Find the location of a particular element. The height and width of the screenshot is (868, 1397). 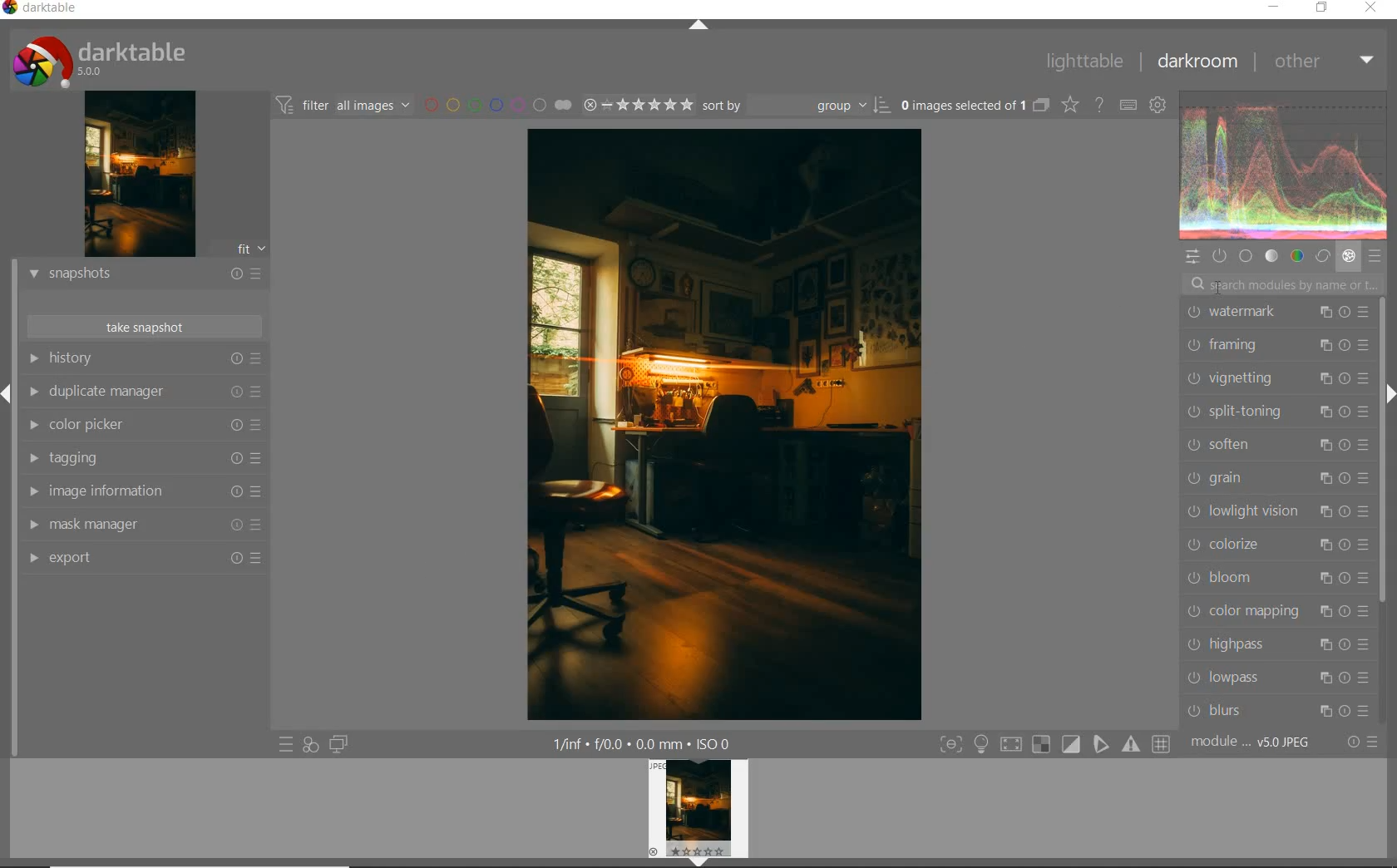

change overlays shown on thumbnails is located at coordinates (1071, 106).